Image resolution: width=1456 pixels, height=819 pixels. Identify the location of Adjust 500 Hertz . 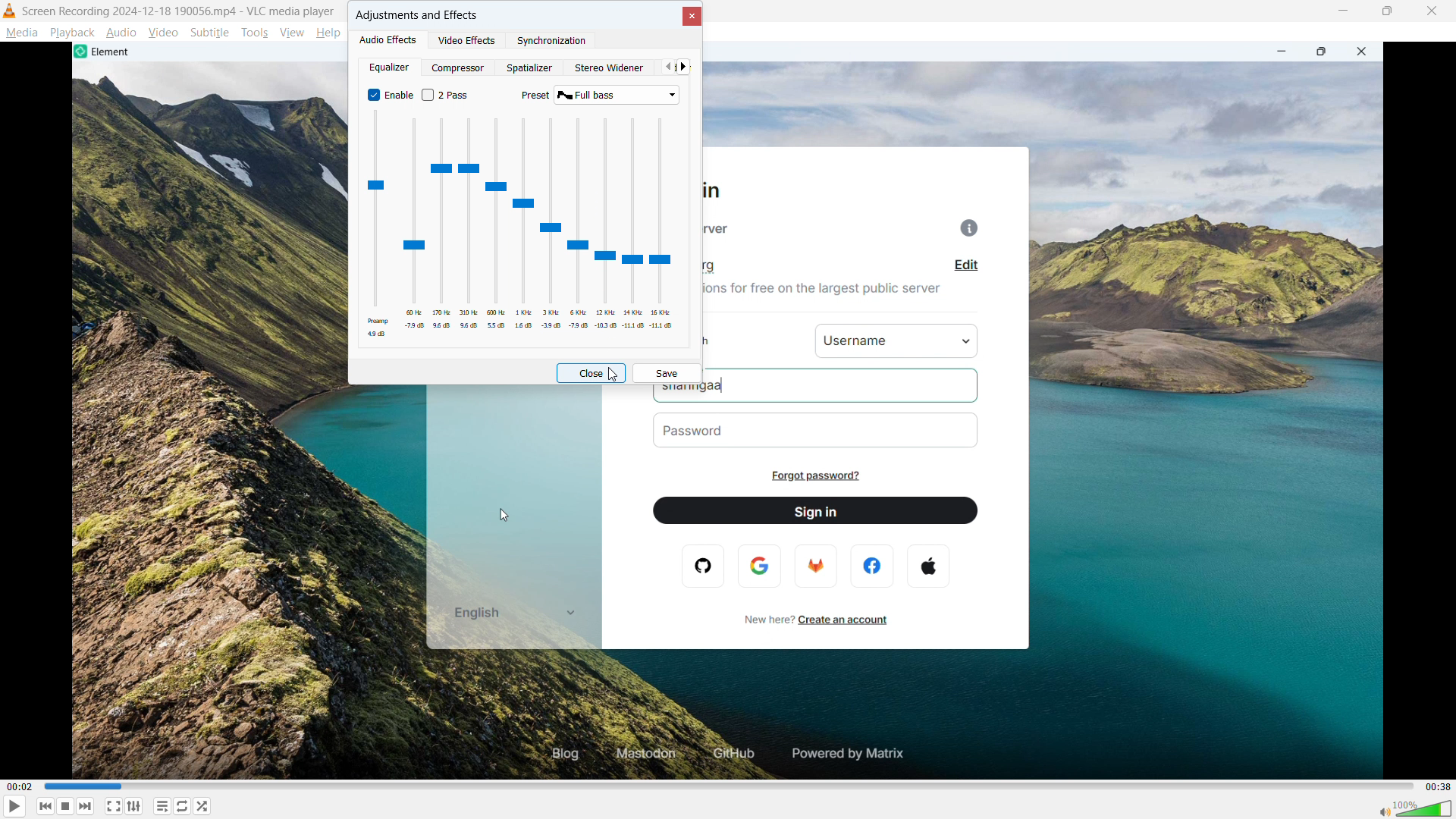
(497, 225).